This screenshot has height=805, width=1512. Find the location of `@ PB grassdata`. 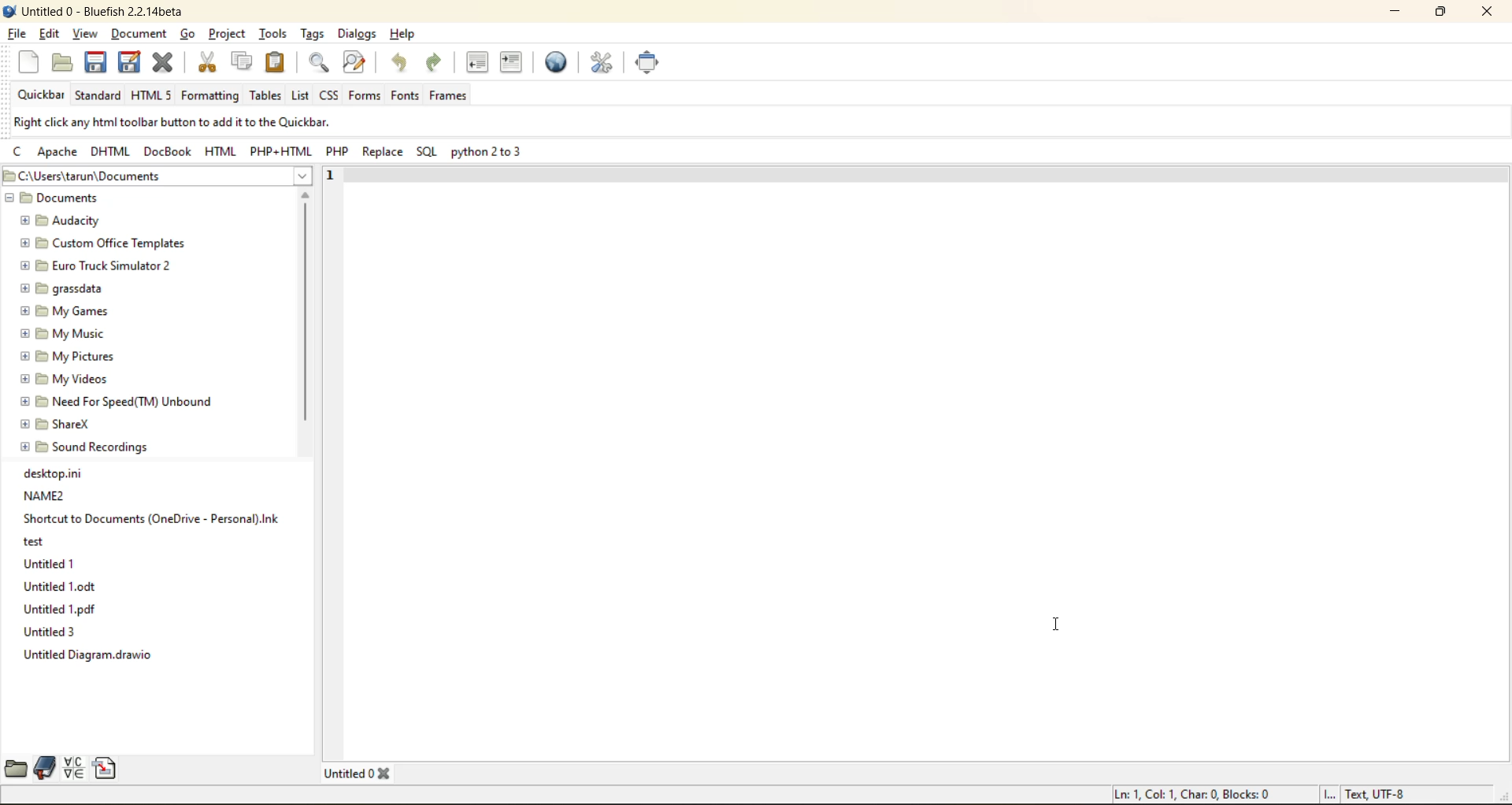

@ PB grassdata is located at coordinates (61, 287).